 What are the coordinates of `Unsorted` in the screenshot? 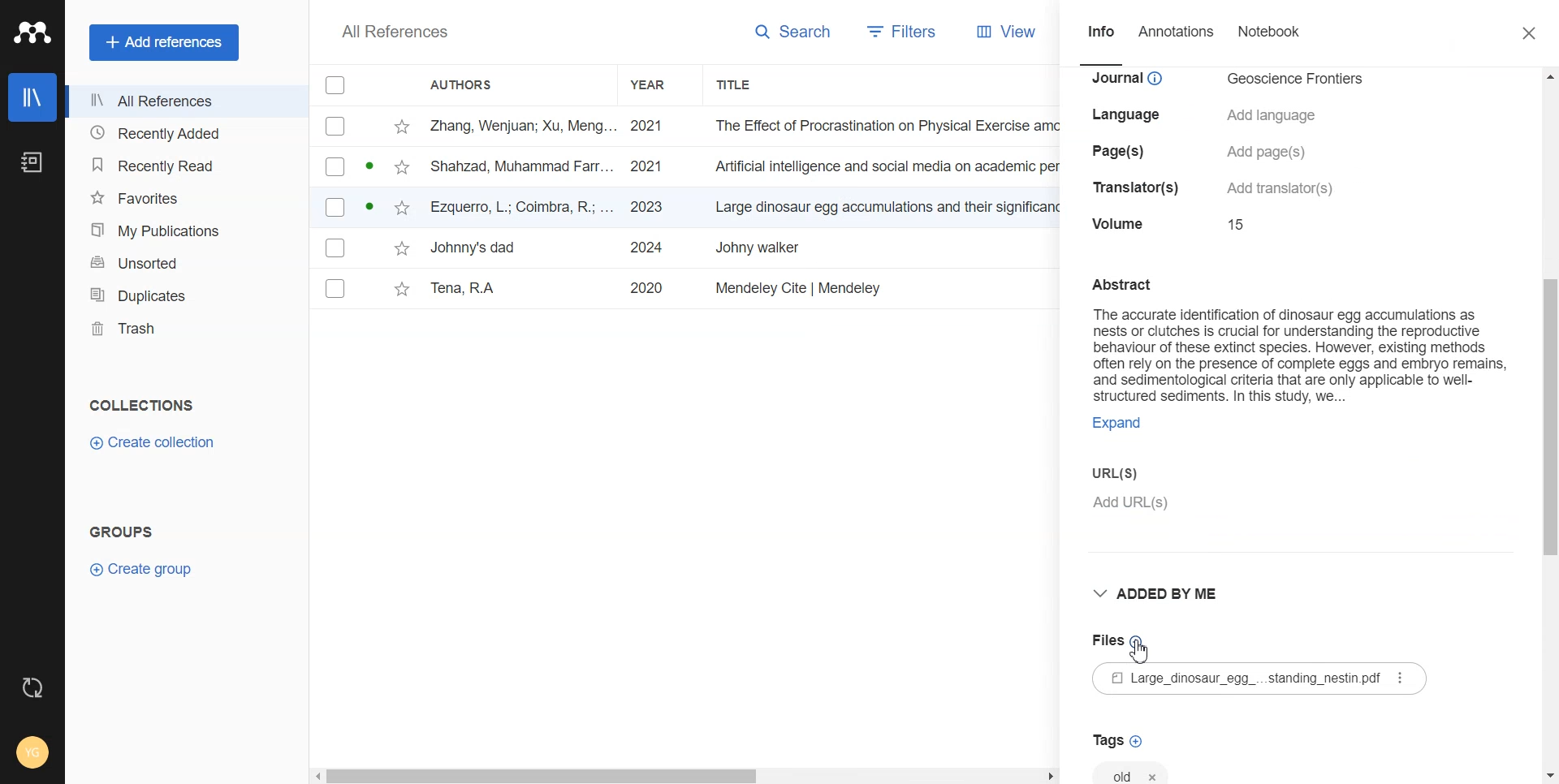 It's located at (186, 261).